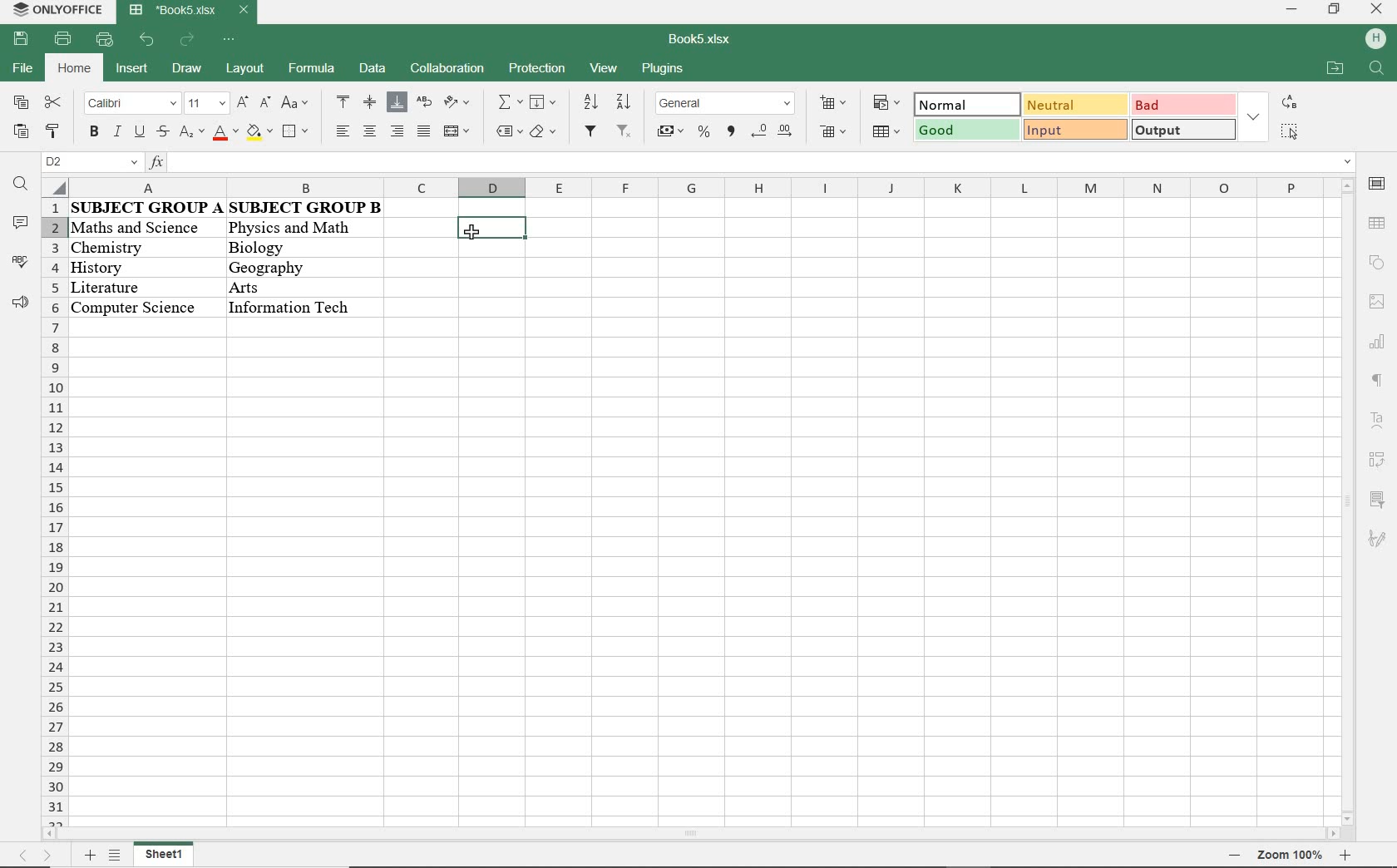 This screenshot has height=868, width=1397. I want to click on input, so click(1074, 129).